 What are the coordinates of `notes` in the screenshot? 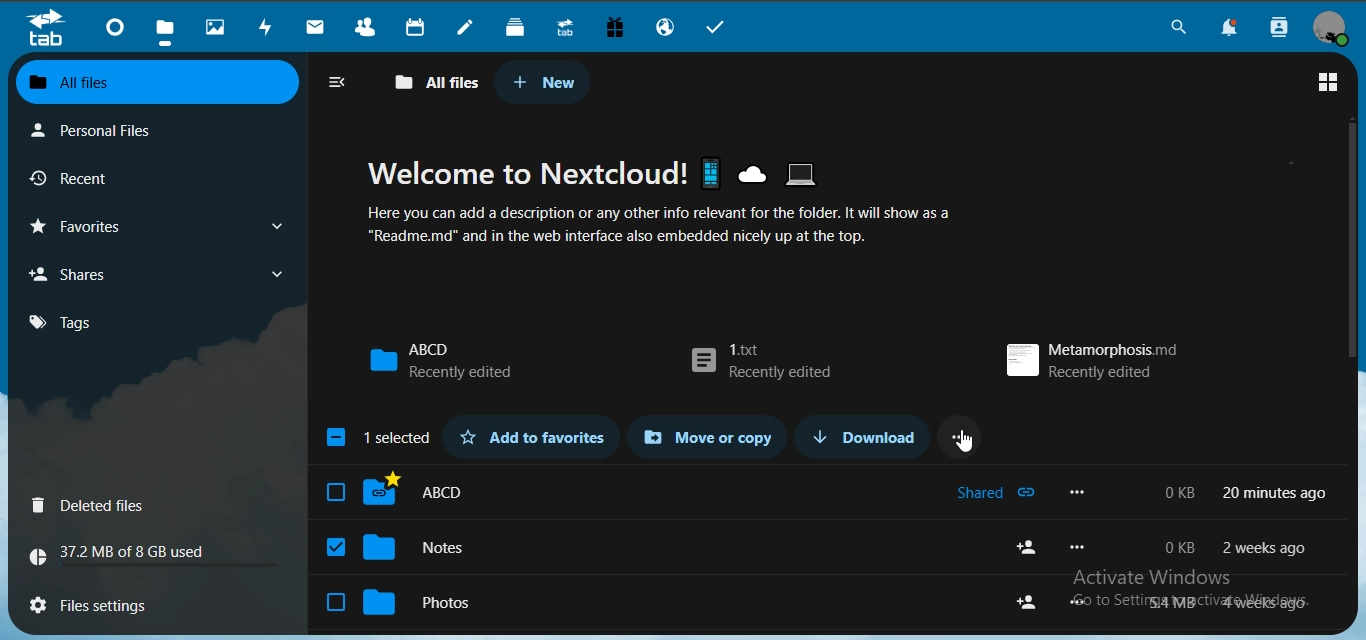 It's located at (469, 28).